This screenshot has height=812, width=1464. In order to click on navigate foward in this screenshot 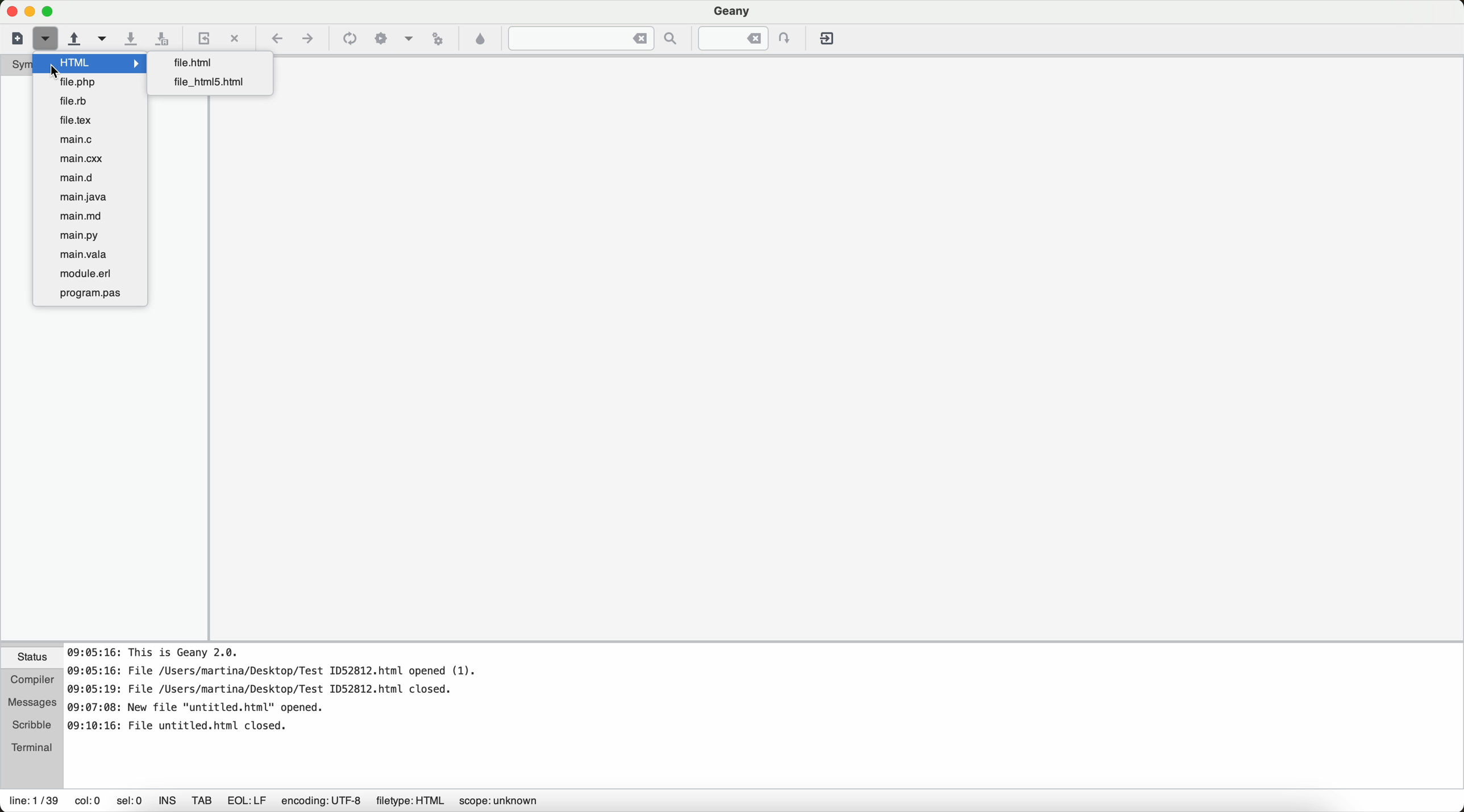, I will do `click(308, 38)`.